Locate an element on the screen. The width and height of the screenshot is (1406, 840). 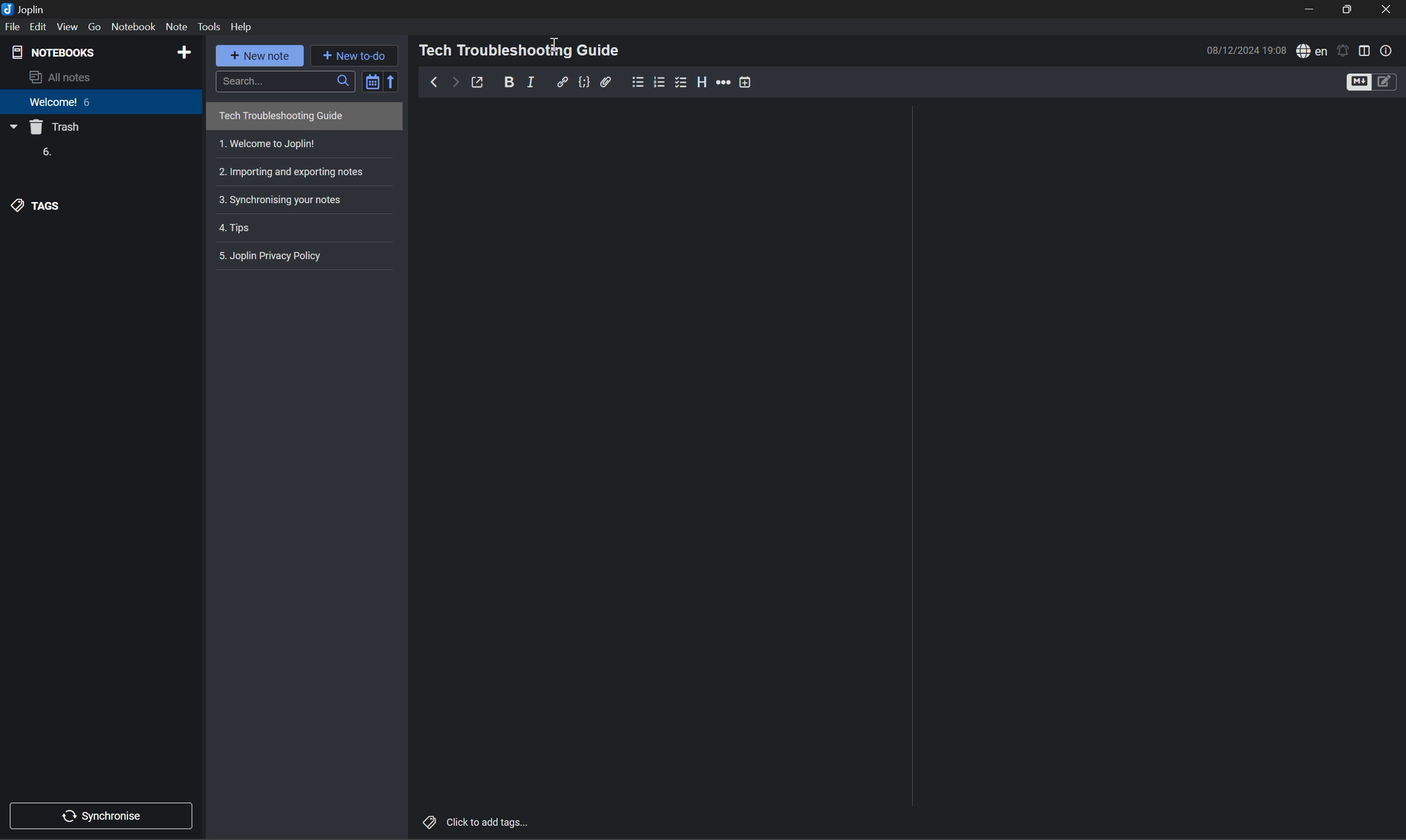
Search is located at coordinates (284, 80).